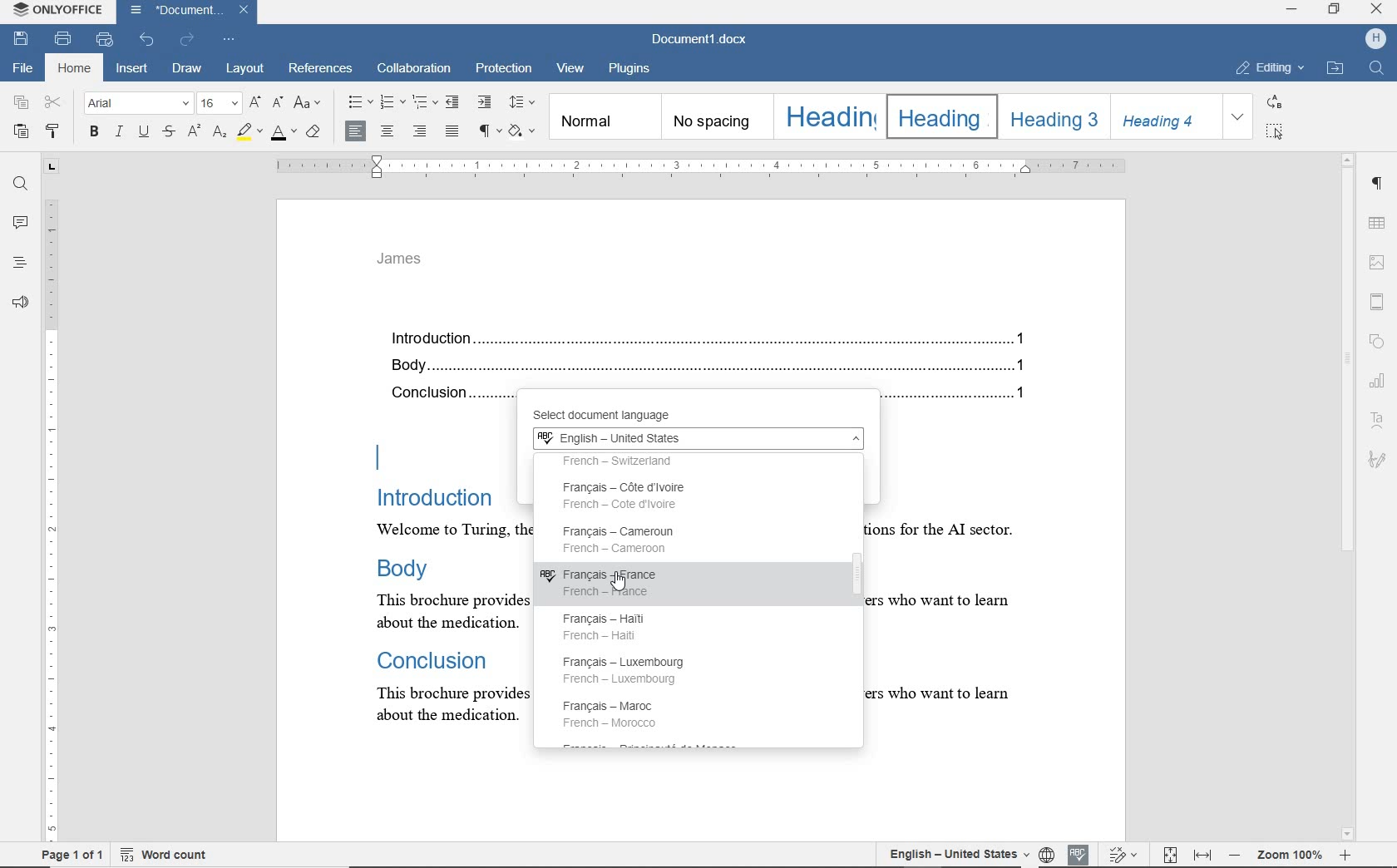 This screenshot has height=868, width=1397. I want to click on word count, so click(173, 854).